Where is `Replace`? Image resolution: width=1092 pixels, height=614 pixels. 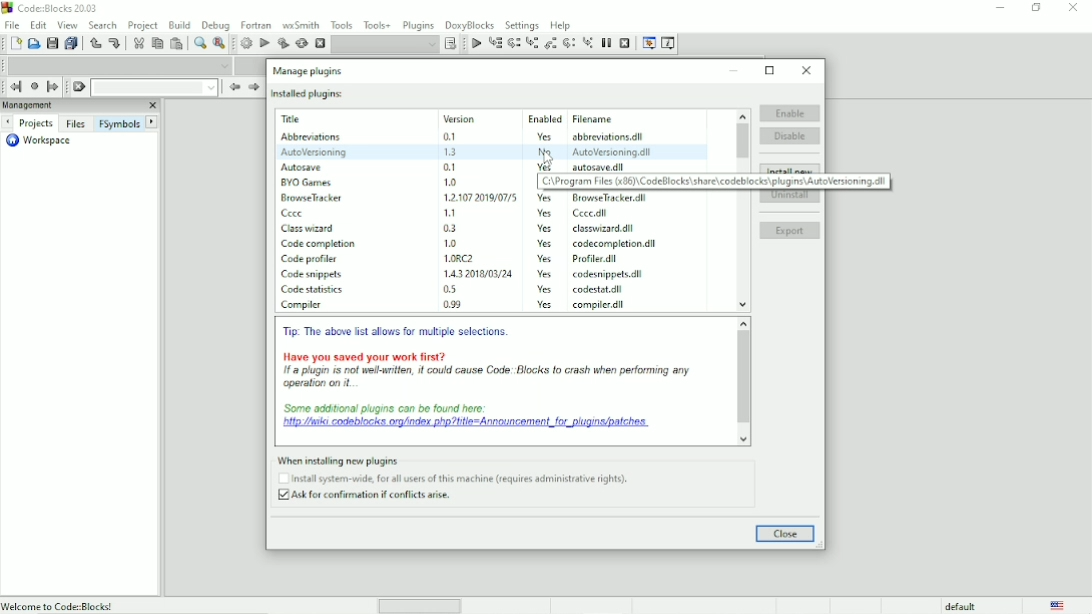
Replace is located at coordinates (219, 44).